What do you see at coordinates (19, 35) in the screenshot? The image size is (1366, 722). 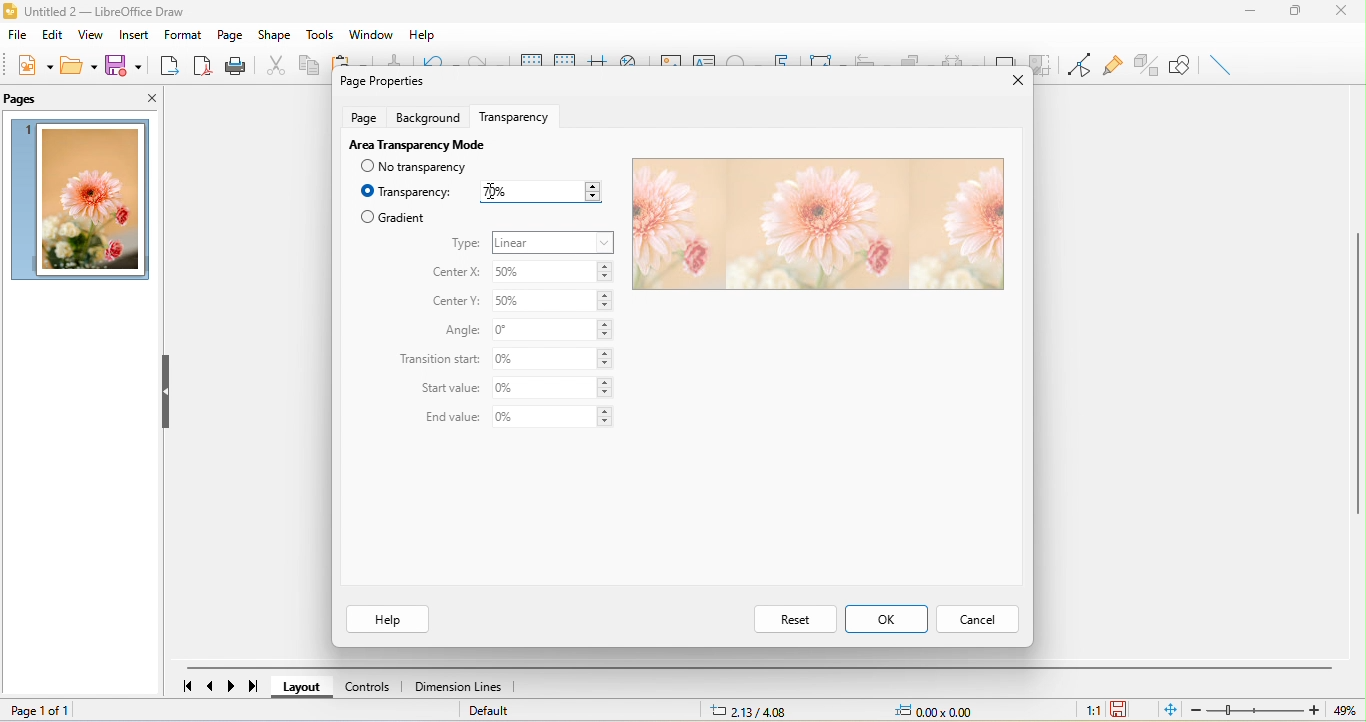 I see `file` at bounding box center [19, 35].